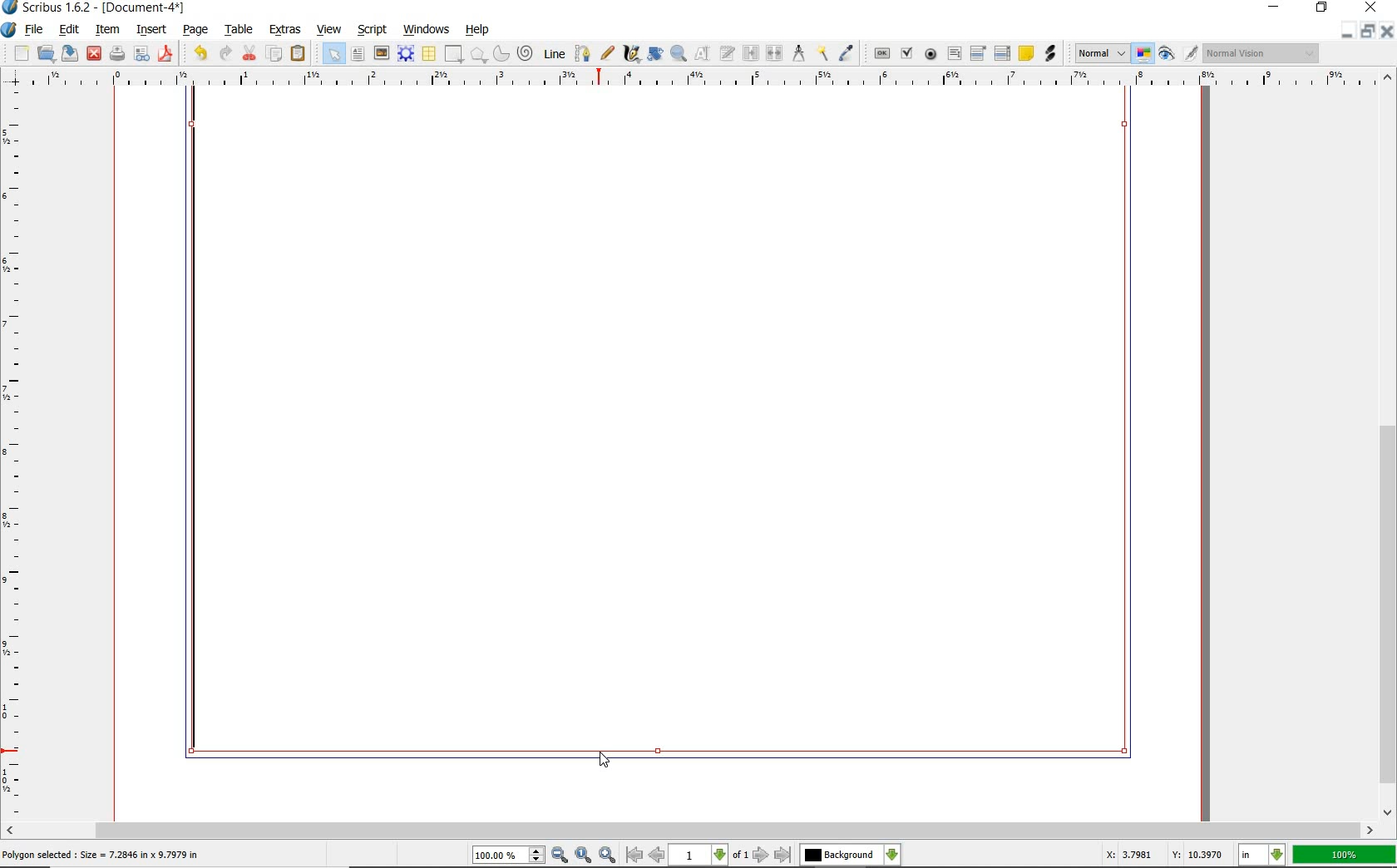  Describe the element at coordinates (554, 54) in the screenshot. I see `line` at that location.